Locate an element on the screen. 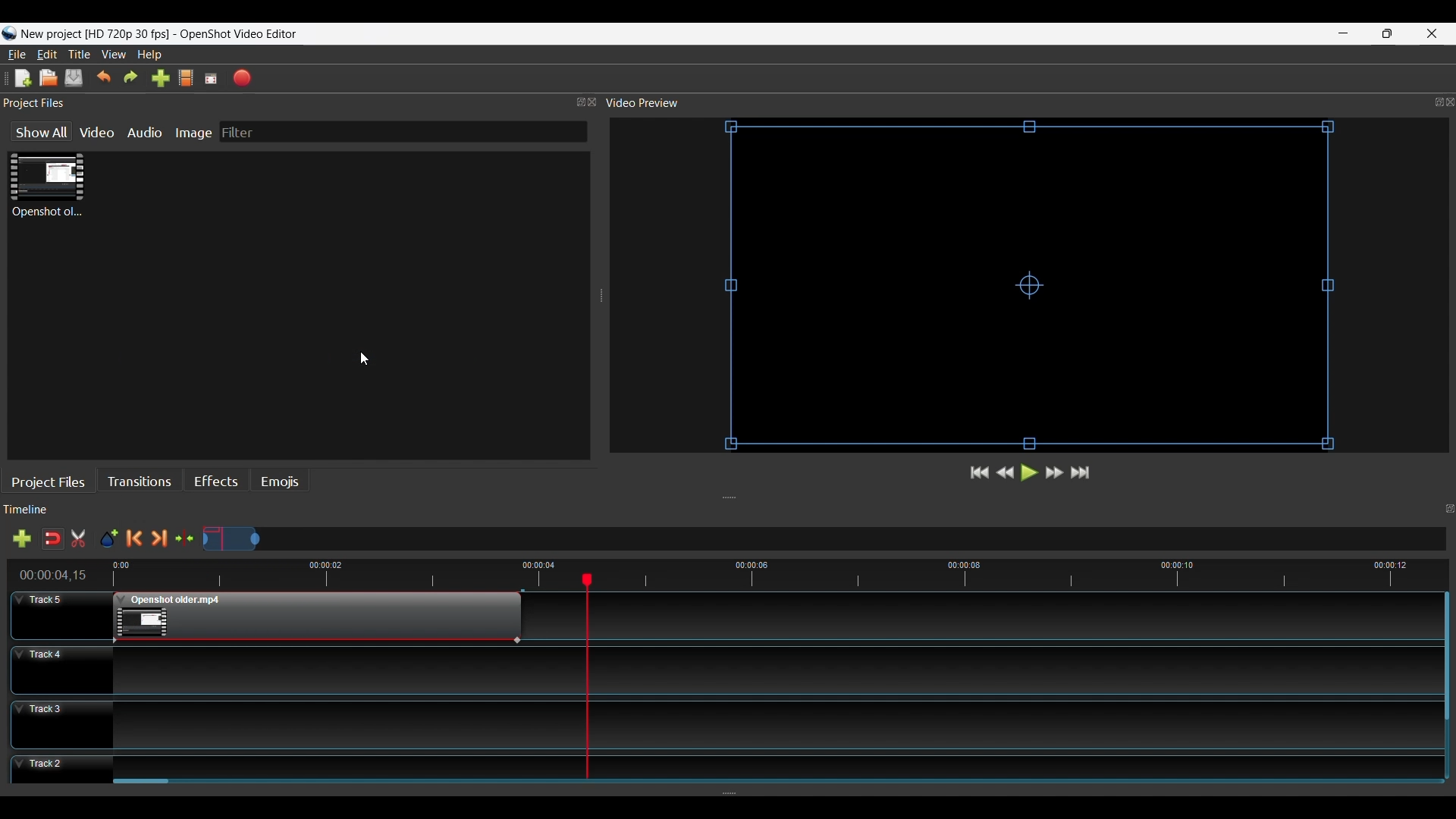 The image size is (1456, 819). Zoom Slider is located at coordinates (825, 540).